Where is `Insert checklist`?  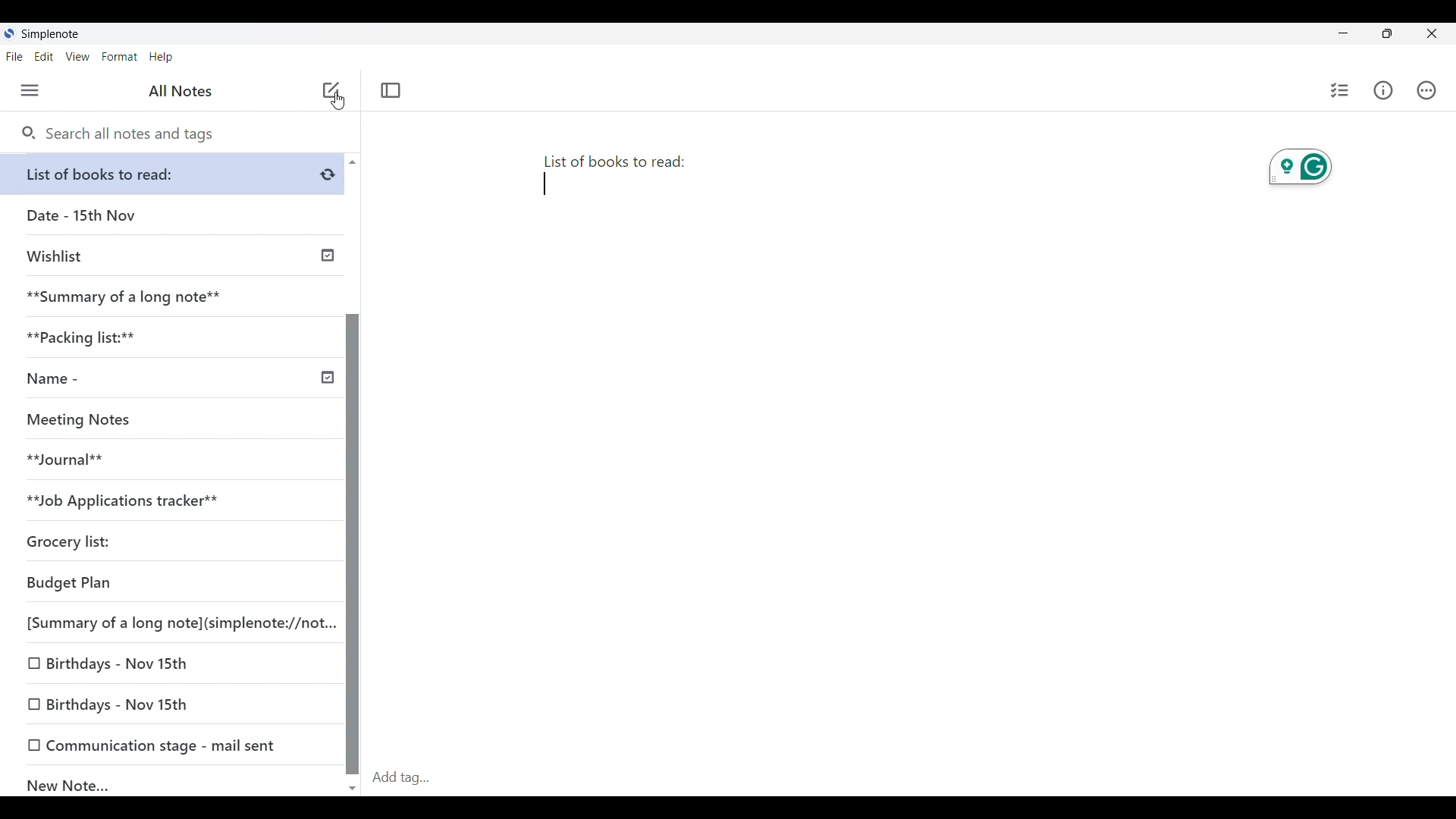
Insert checklist is located at coordinates (1340, 90).